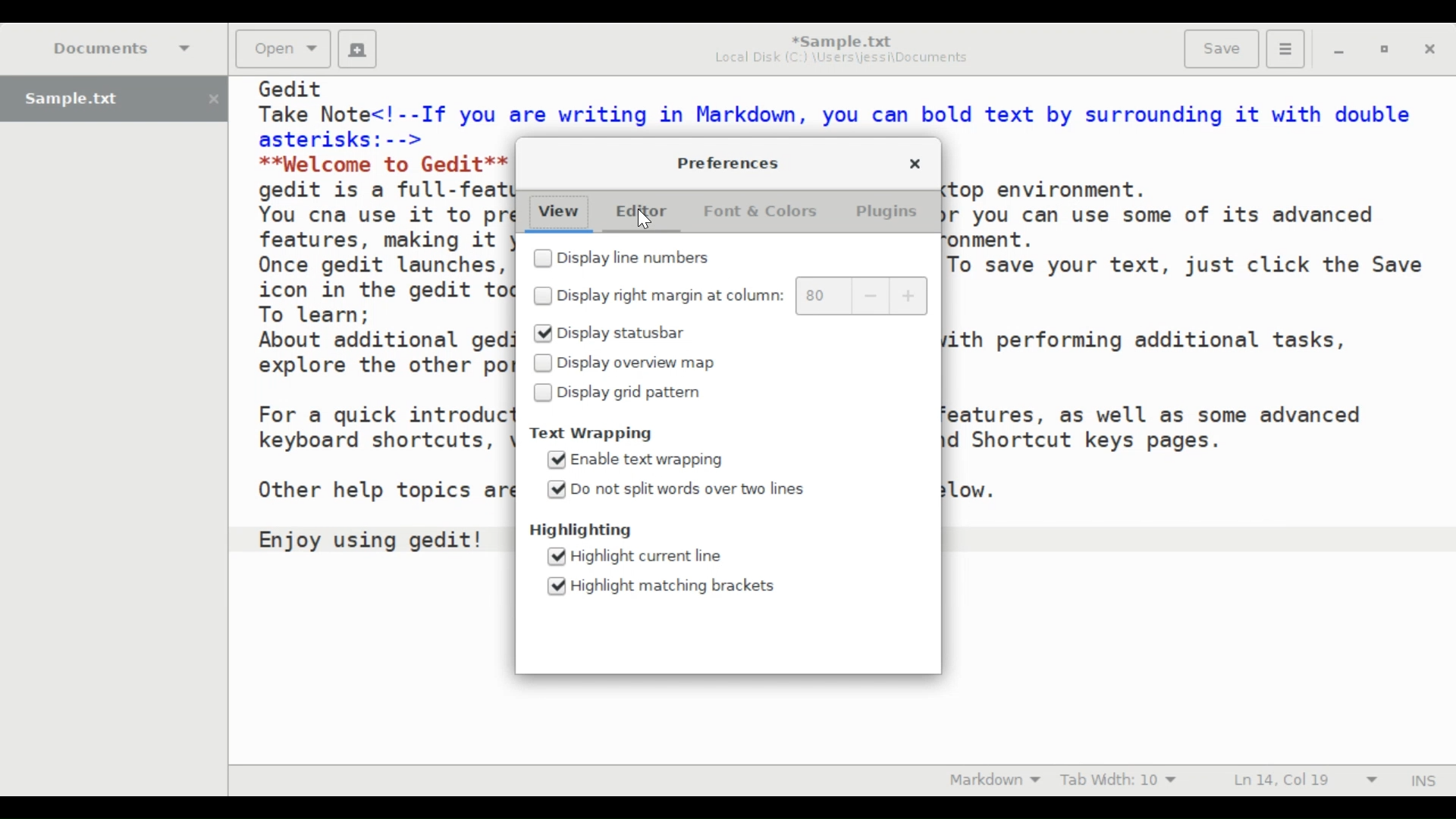 This screenshot has width=1456, height=819. What do you see at coordinates (1341, 51) in the screenshot?
I see `minimize` at bounding box center [1341, 51].